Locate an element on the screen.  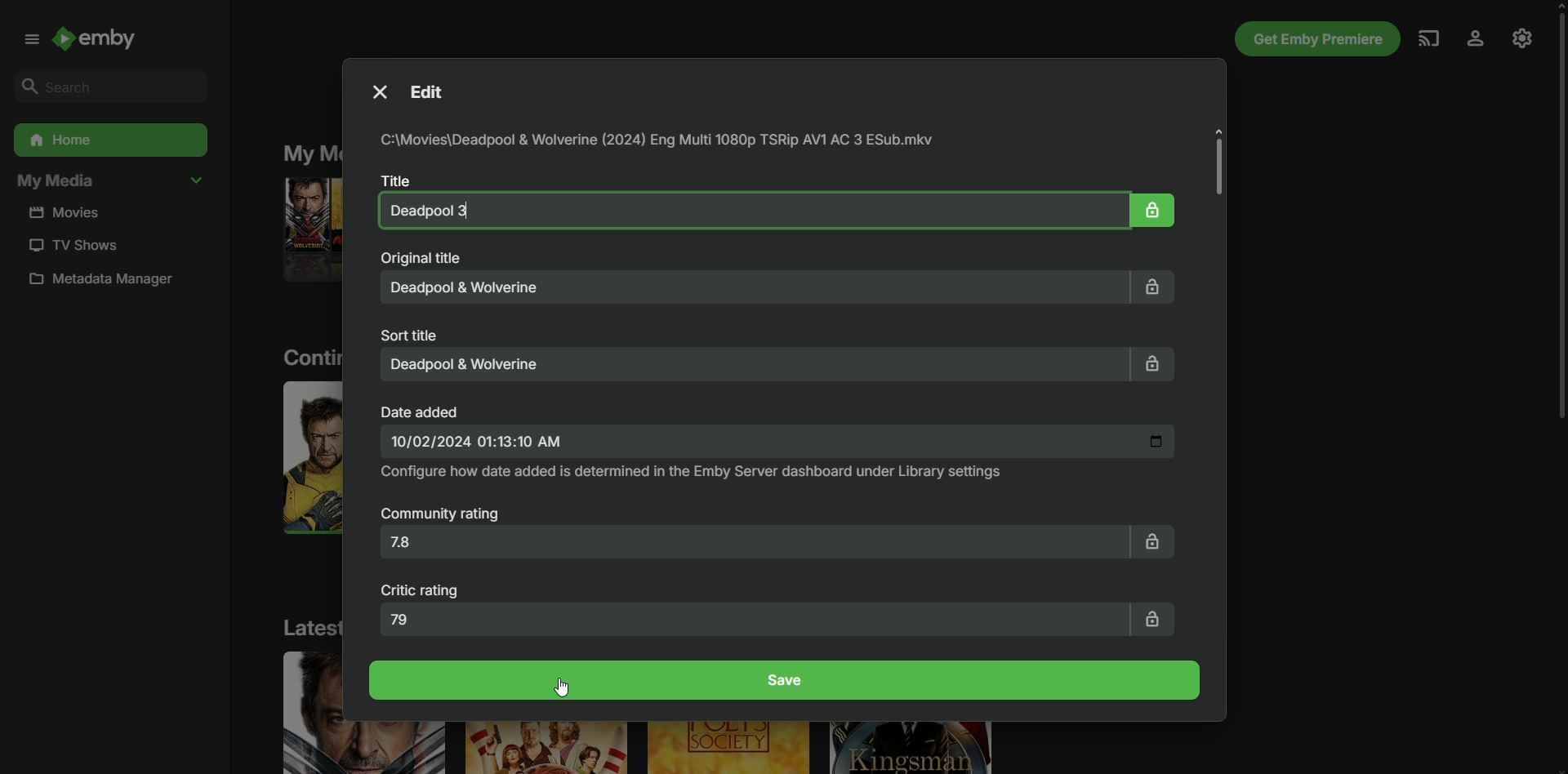
Home is located at coordinates (109, 140).